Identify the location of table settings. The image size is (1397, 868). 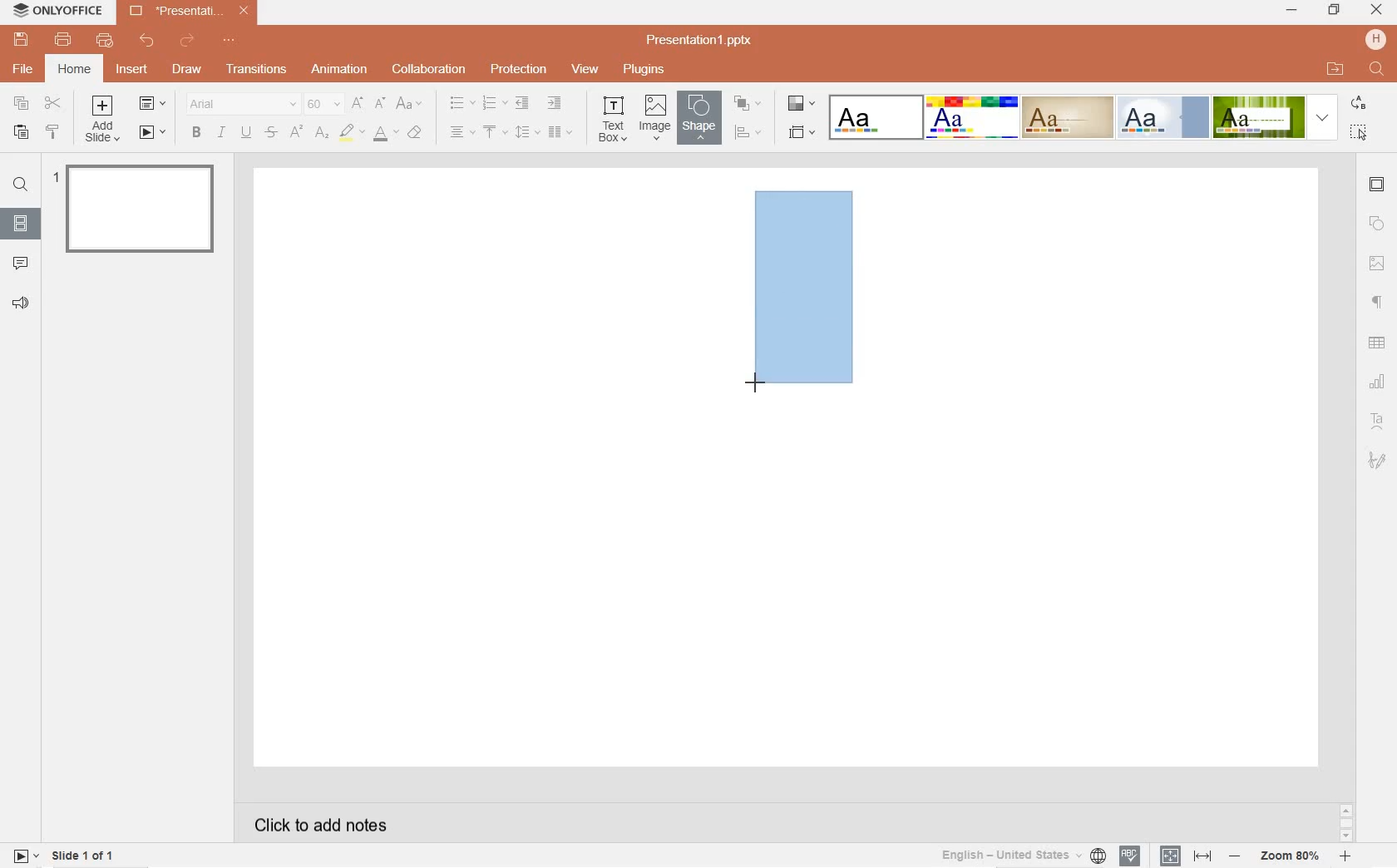
(1379, 343).